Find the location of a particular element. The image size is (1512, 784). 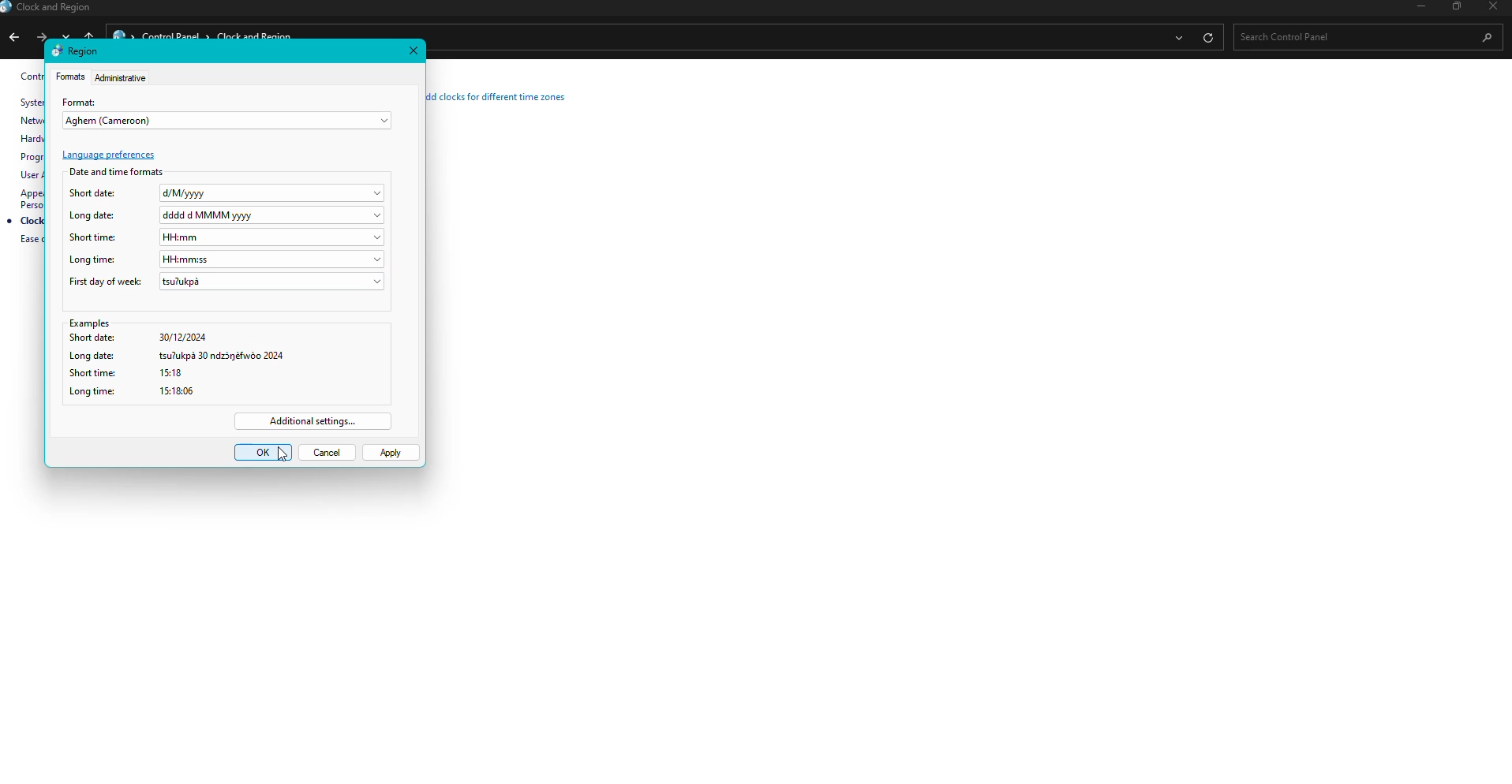

Close is located at coordinates (414, 50).